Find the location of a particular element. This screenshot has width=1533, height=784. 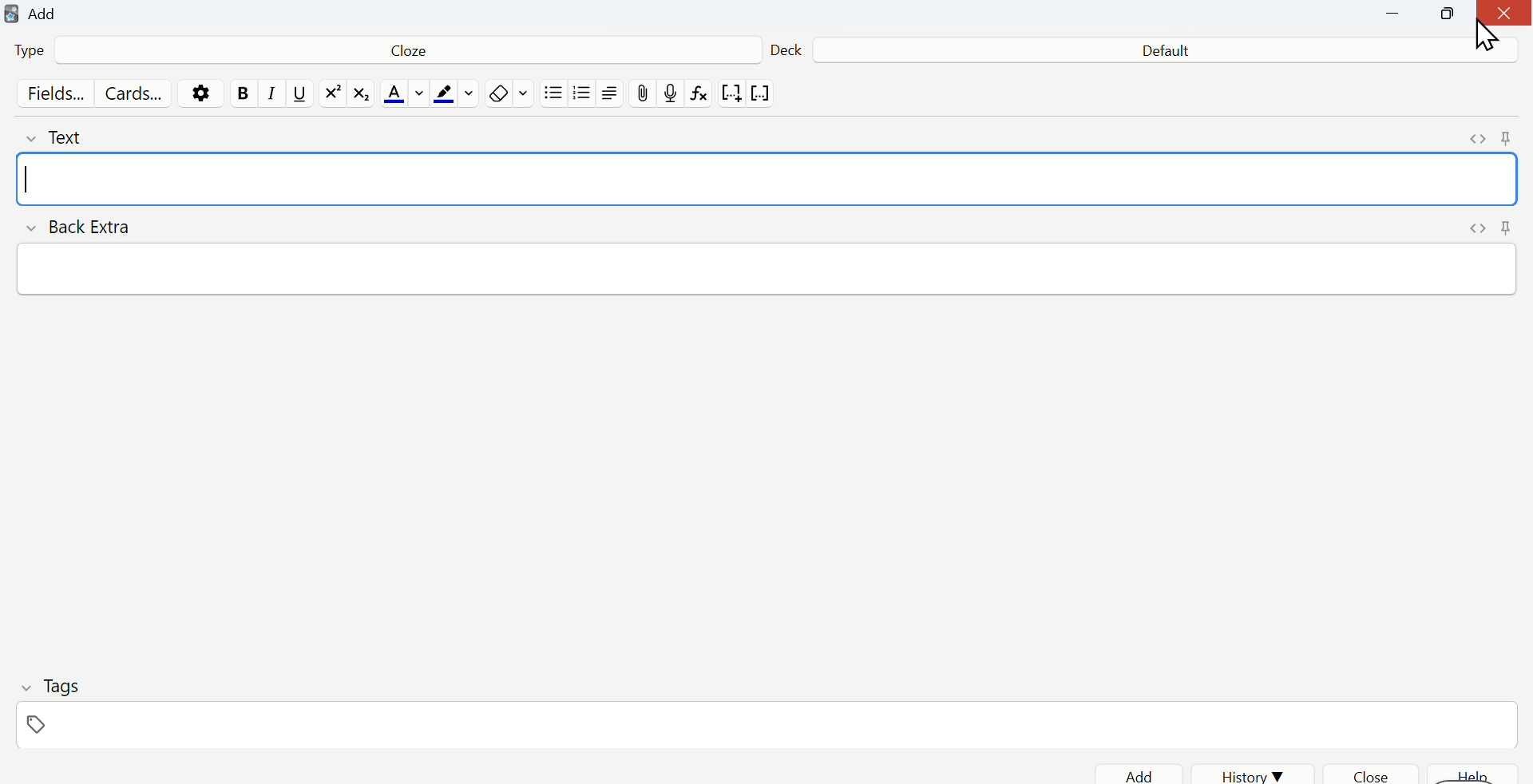

Align is located at coordinates (614, 95).